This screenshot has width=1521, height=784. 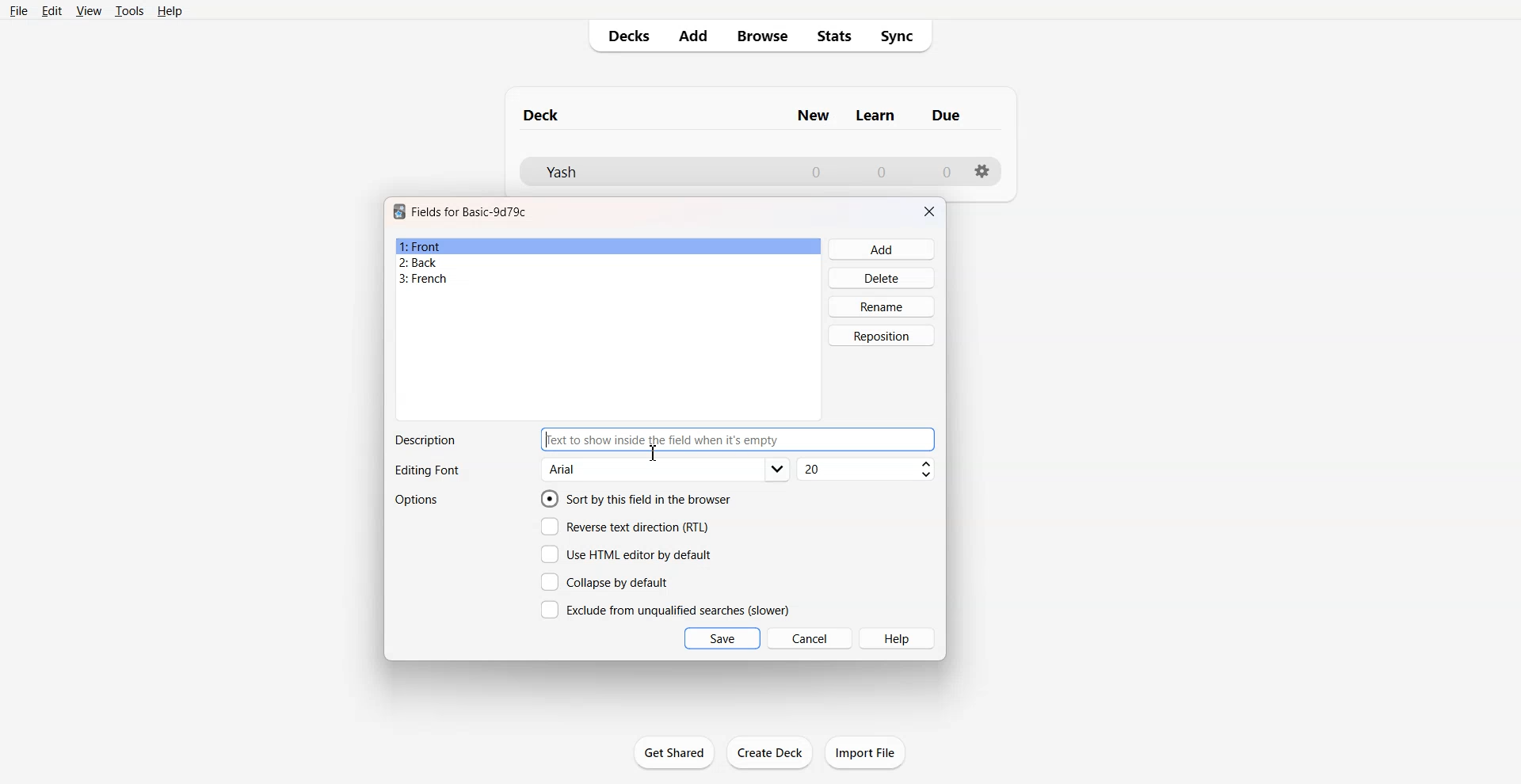 What do you see at coordinates (946, 115) in the screenshot?
I see `Column name` at bounding box center [946, 115].